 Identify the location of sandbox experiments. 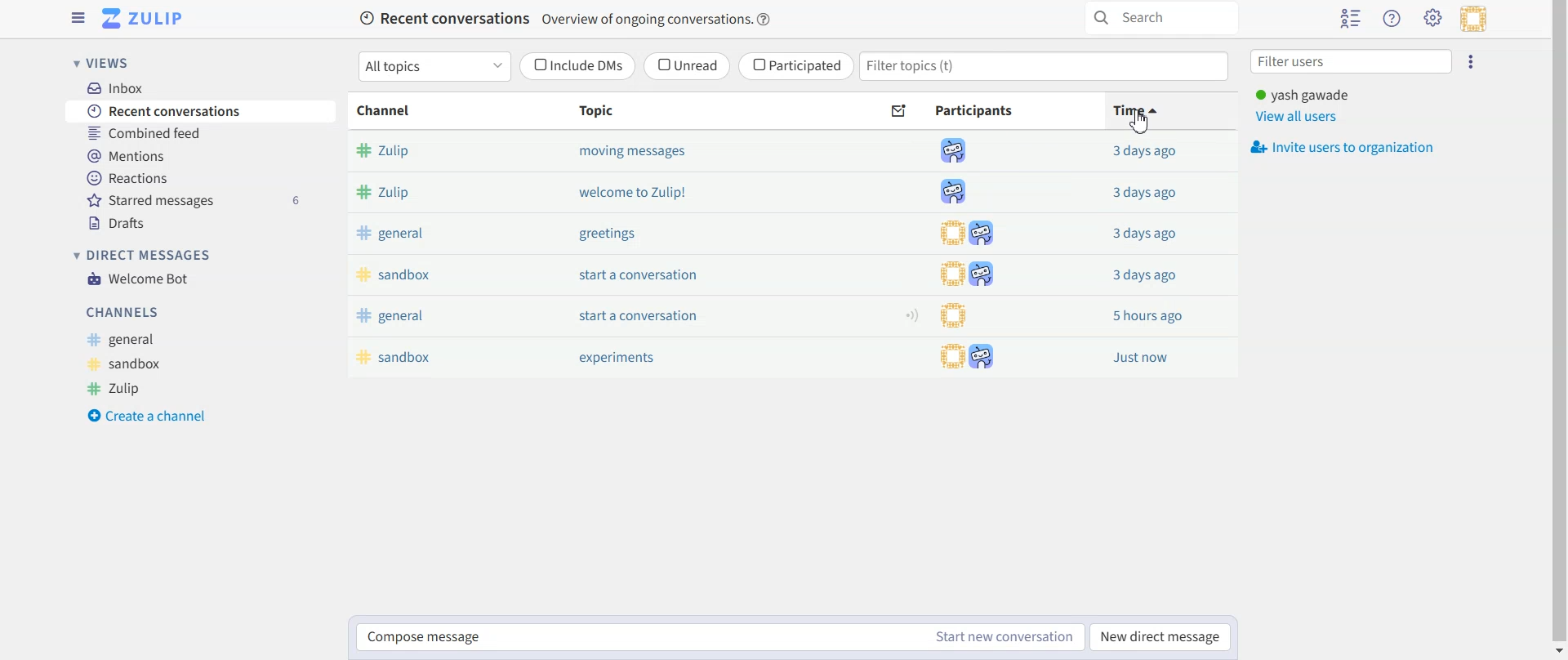
(533, 355).